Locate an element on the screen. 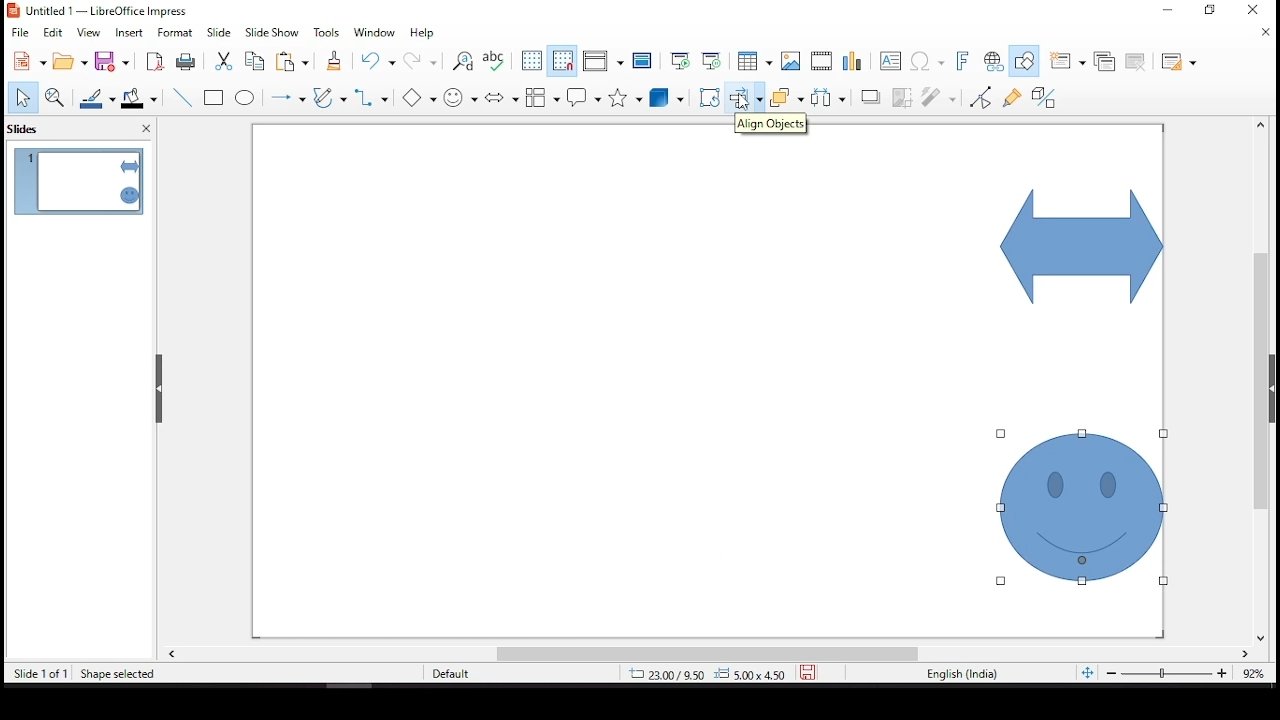 This screenshot has height=720, width=1280. show gluepoint functions is located at coordinates (1012, 97).